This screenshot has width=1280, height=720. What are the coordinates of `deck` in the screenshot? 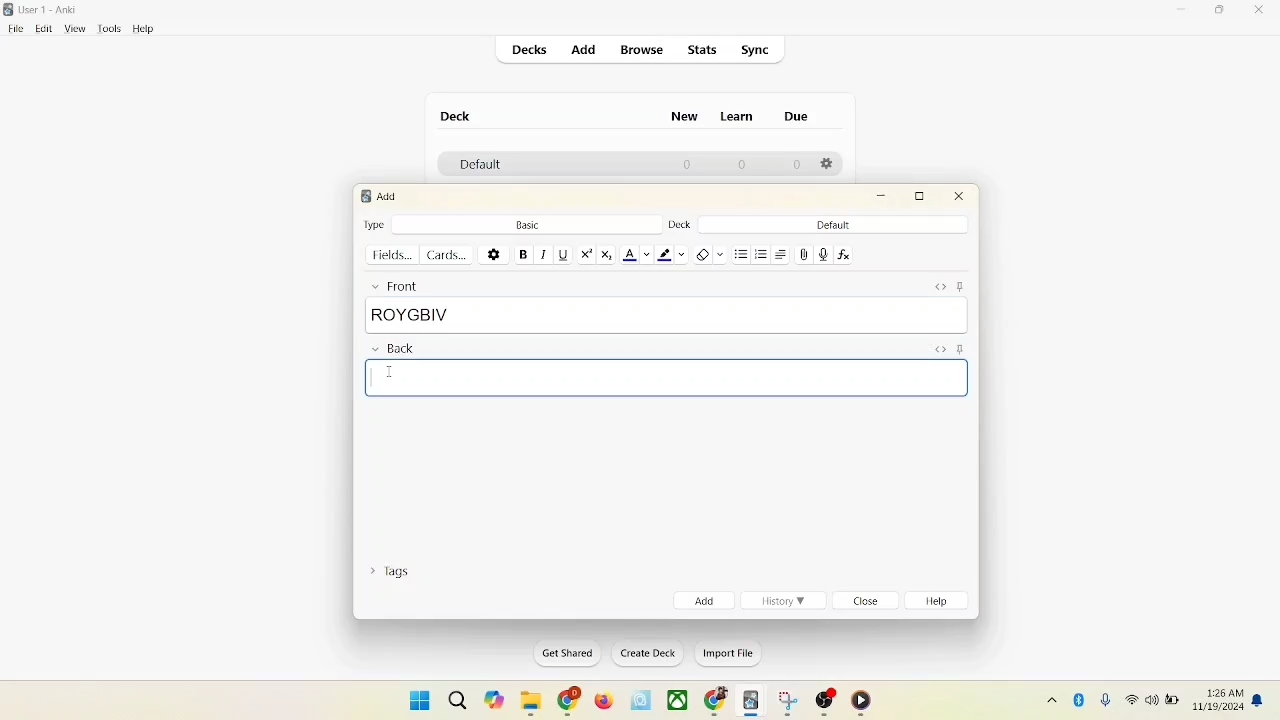 It's located at (456, 116).